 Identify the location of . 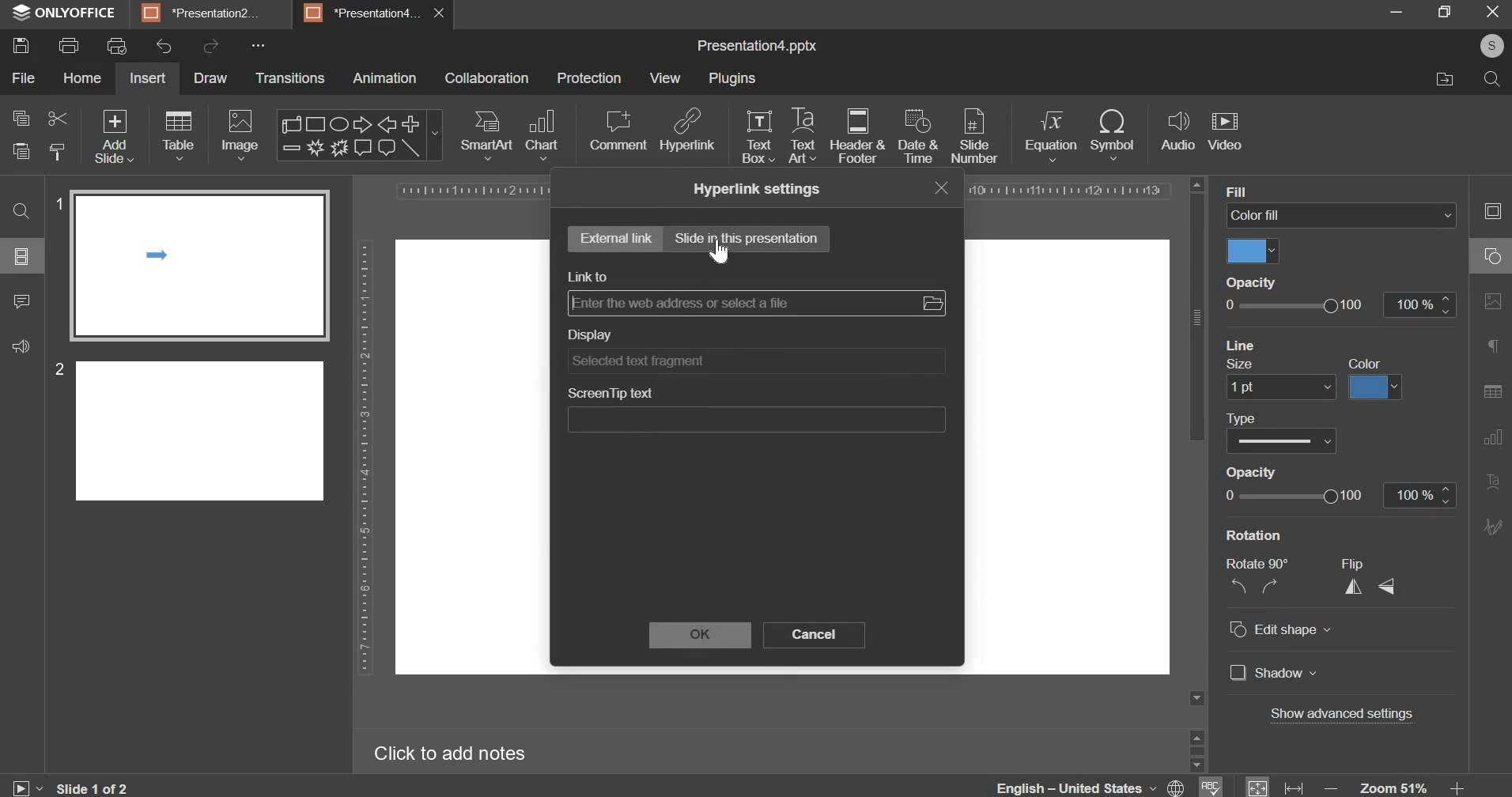
(1262, 416).